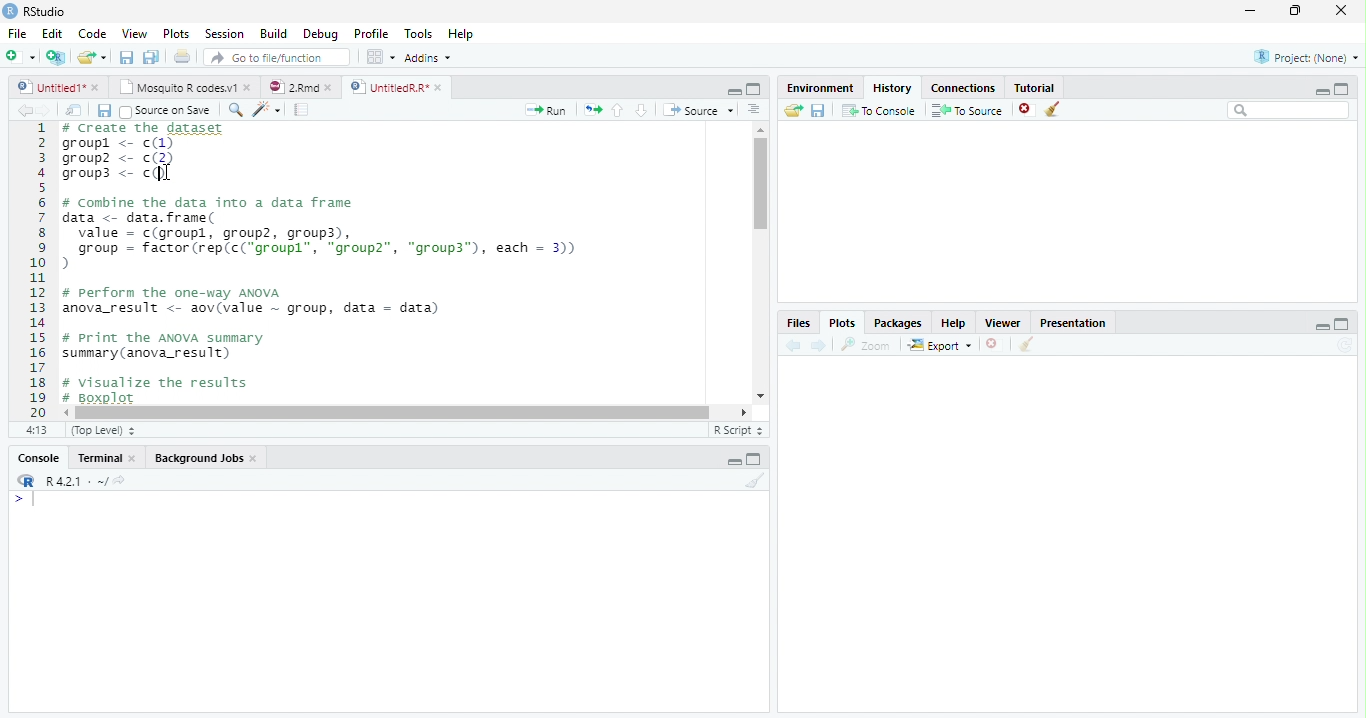 The height and width of the screenshot is (718, 1366). I want to click on Search, so click(1289, 111).